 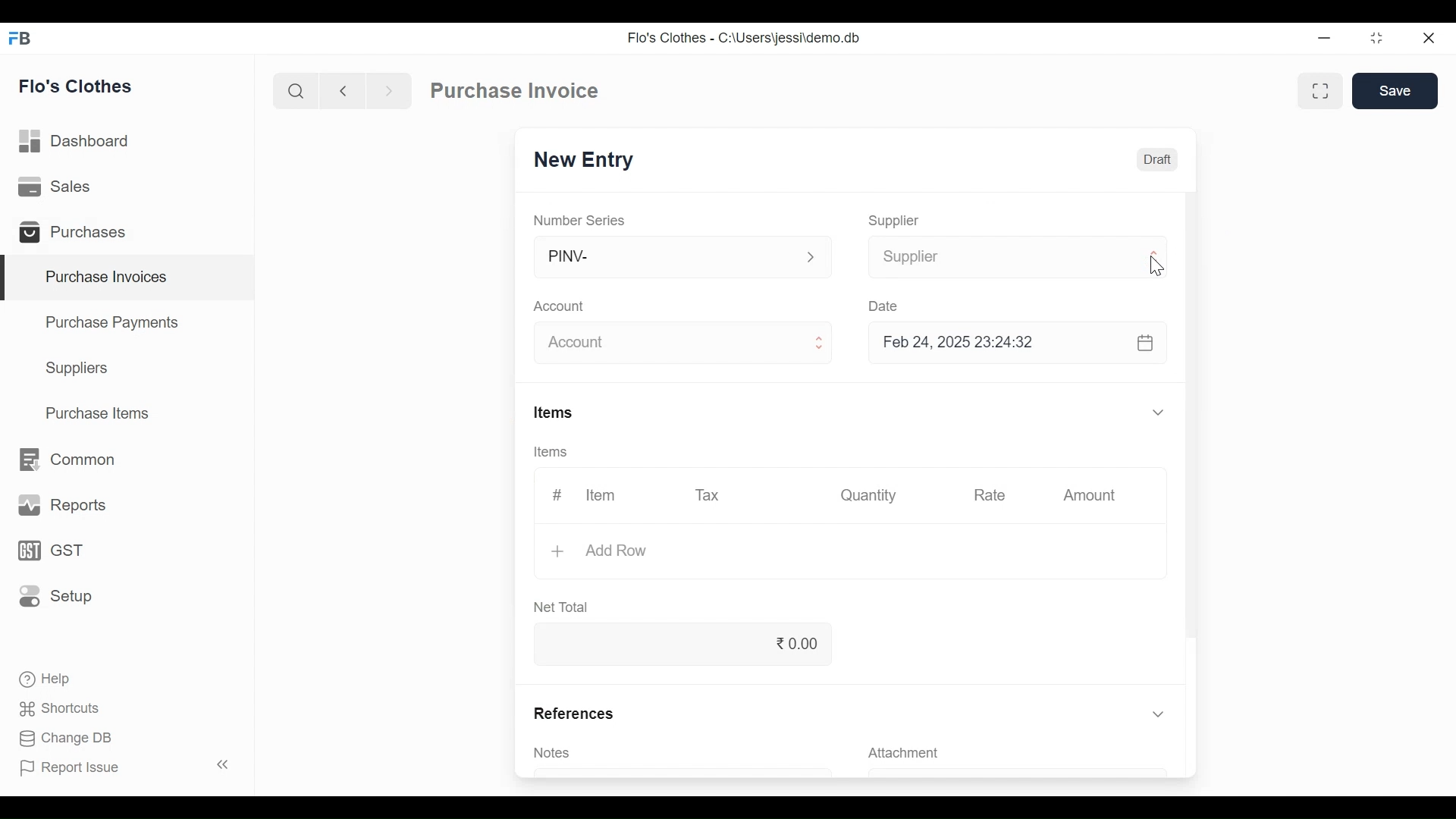 What do you see at coordinates (553, 412) in the screenshot?
I see `Items` at bounding box center [553, 412].